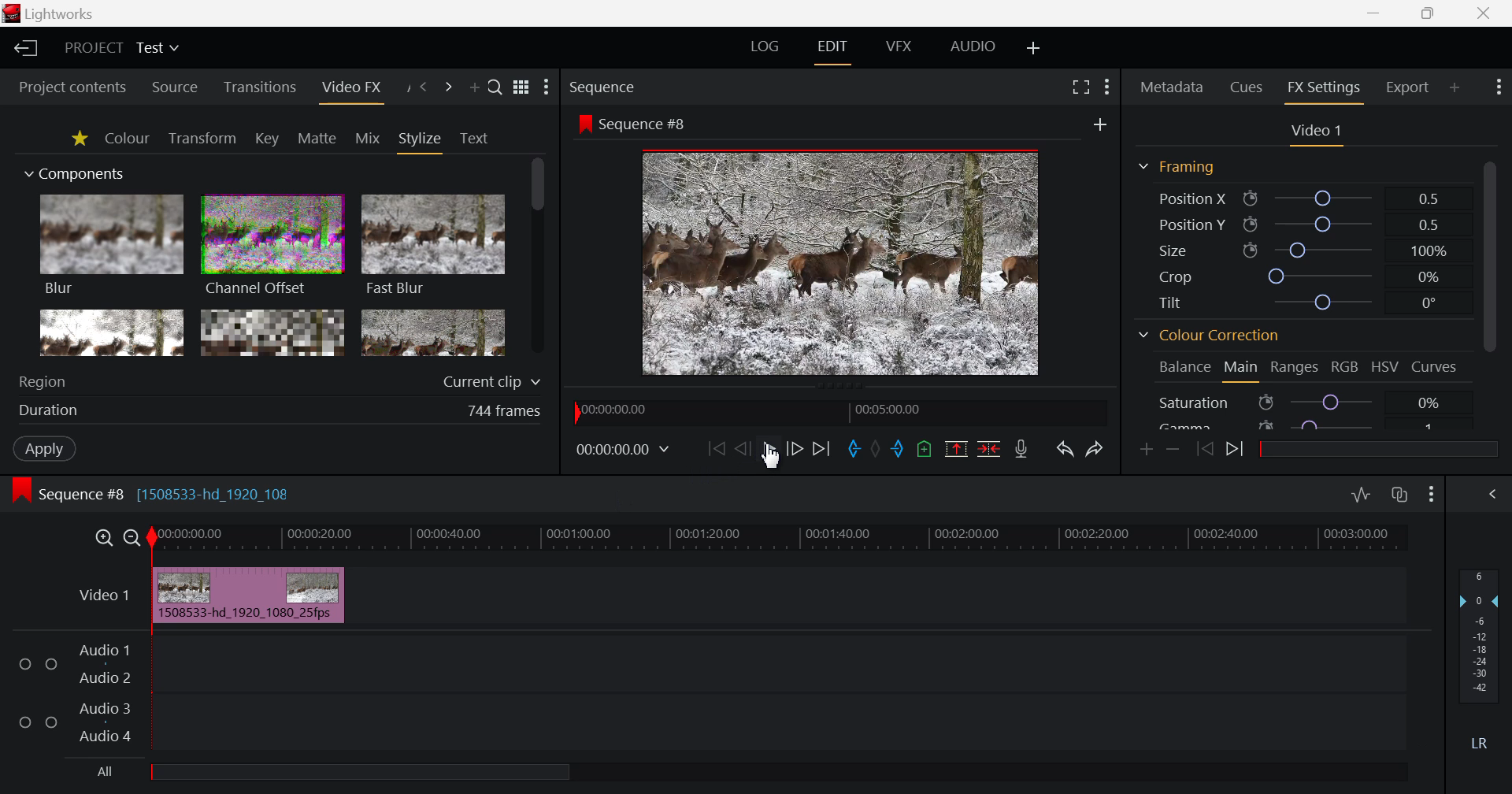 This screenshot has width=1512, height=794. I want to click on Sequence, so click(632, 86).